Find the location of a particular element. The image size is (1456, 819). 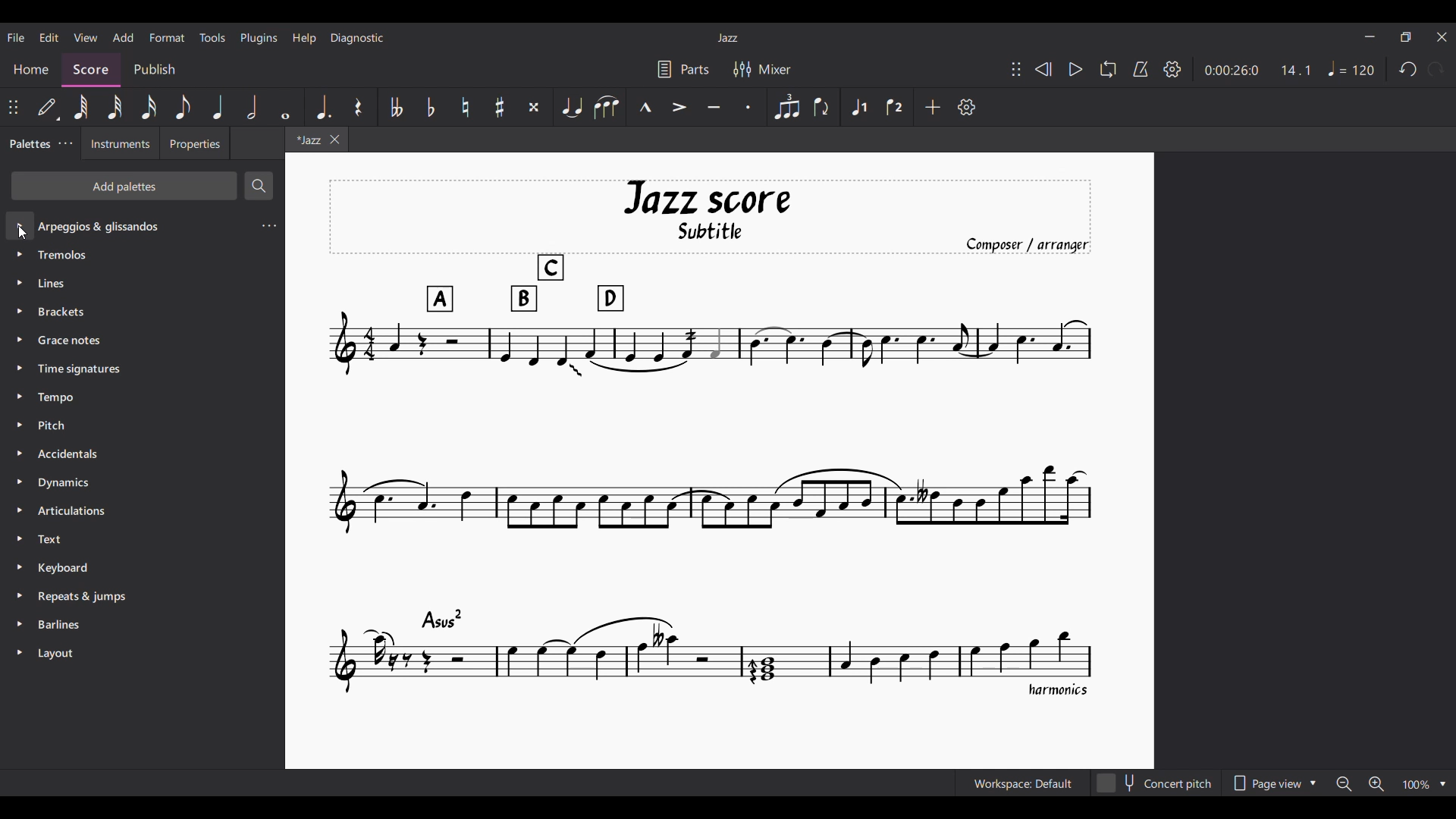

Keyboard is located at coordinates (64, 569).